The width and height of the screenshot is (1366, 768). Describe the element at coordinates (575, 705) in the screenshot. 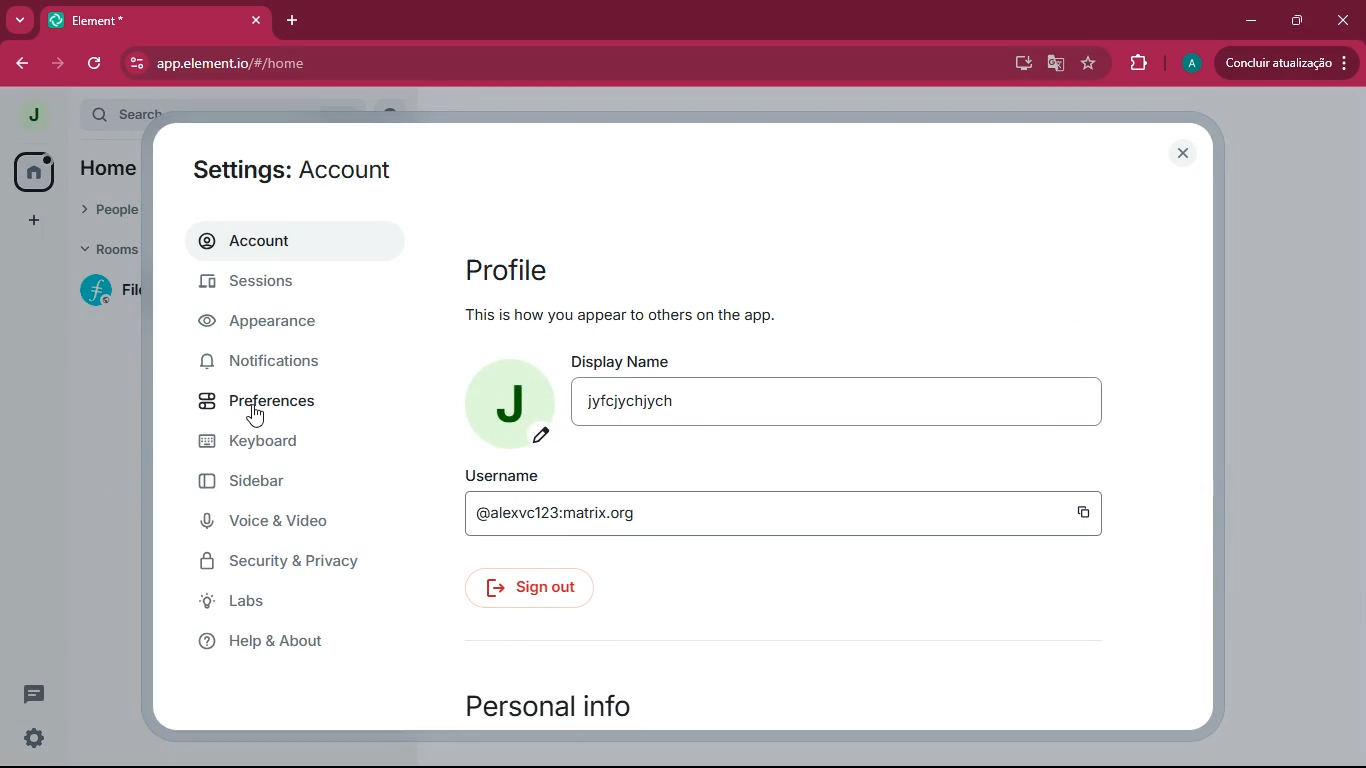

I see `personal info` at that location.